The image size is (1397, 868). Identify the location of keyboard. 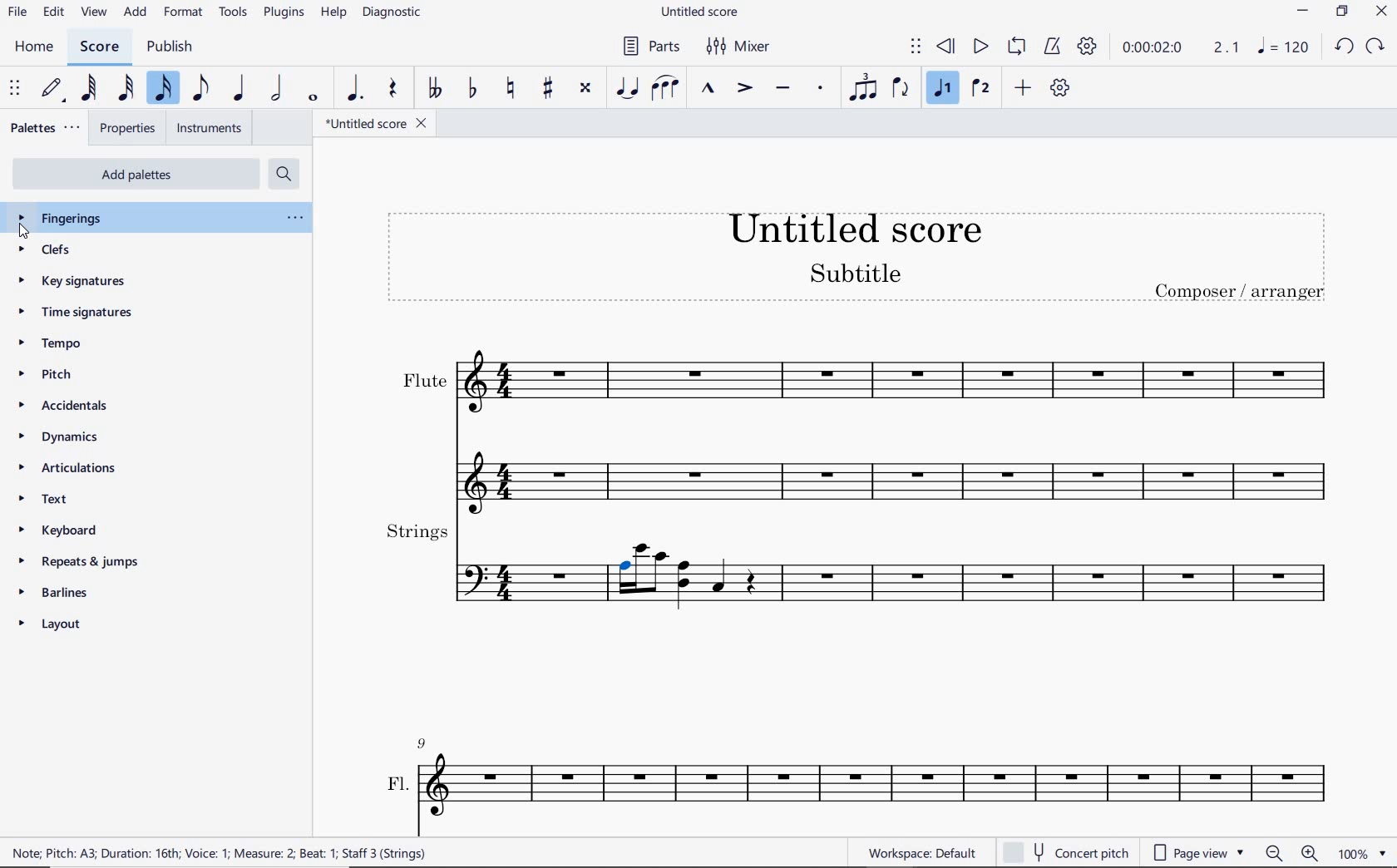
(72, 531).